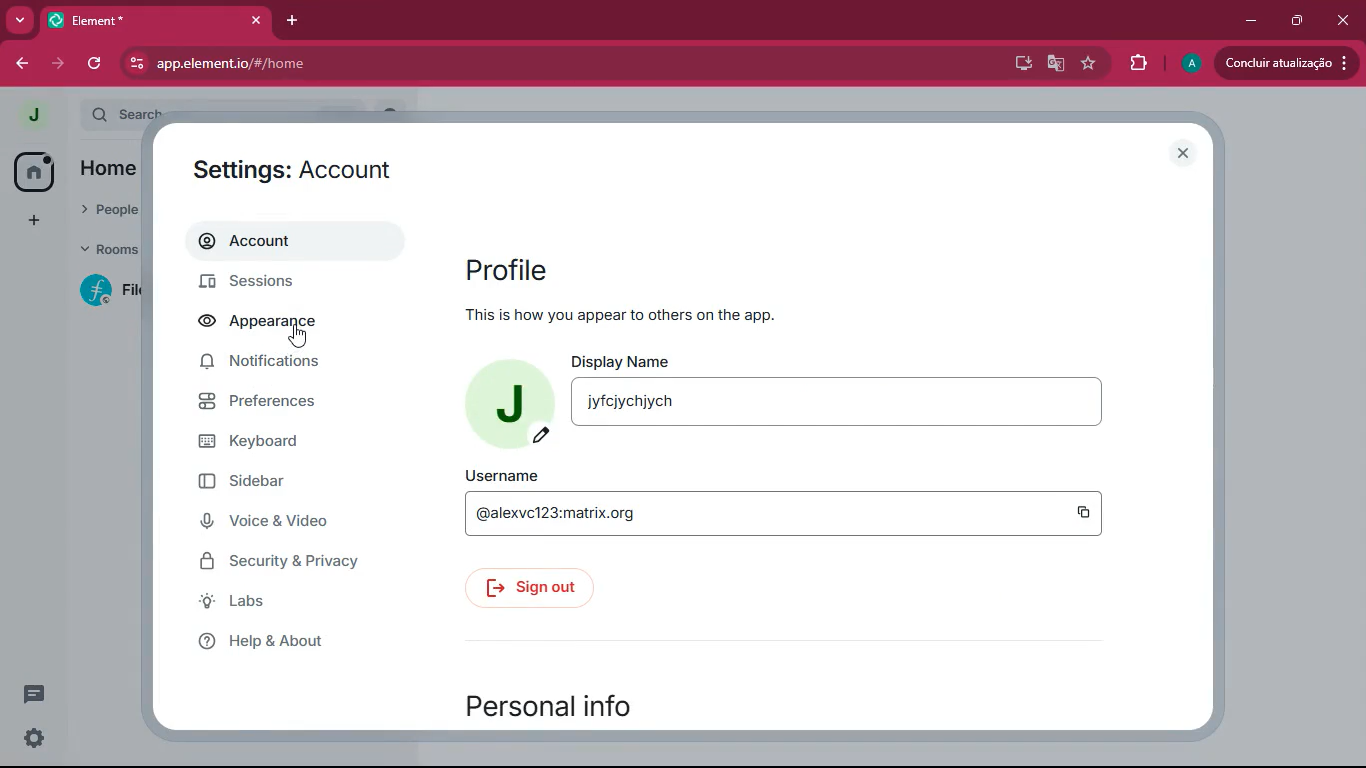 The width and height of the screenshot is (1366, 768). Describe the element at coordinates (1343, 20) in the screenshot. I see `close` at that location.